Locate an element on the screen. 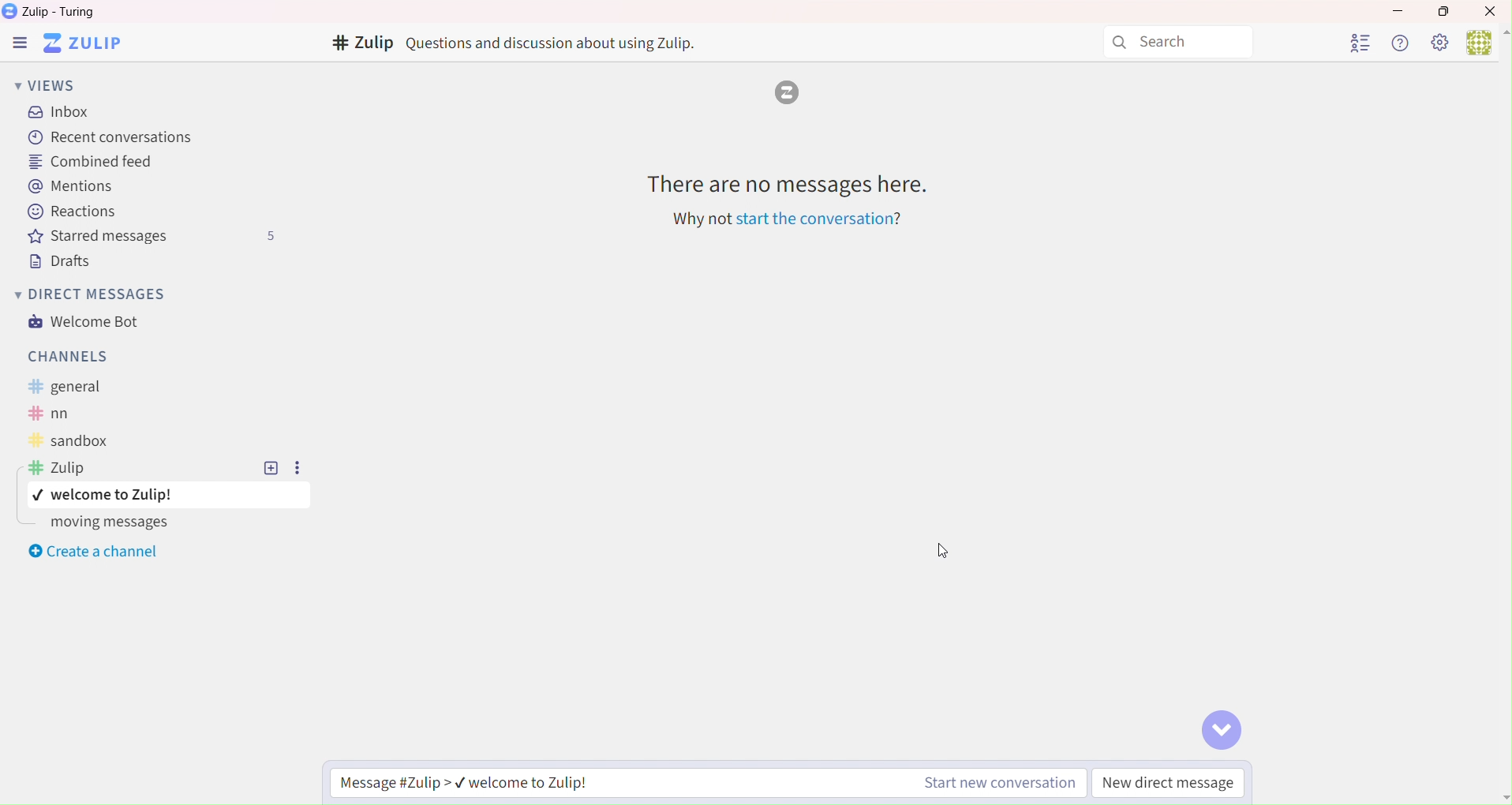 The image size is (1512, 805). Text is located at coordinates (69, 442).